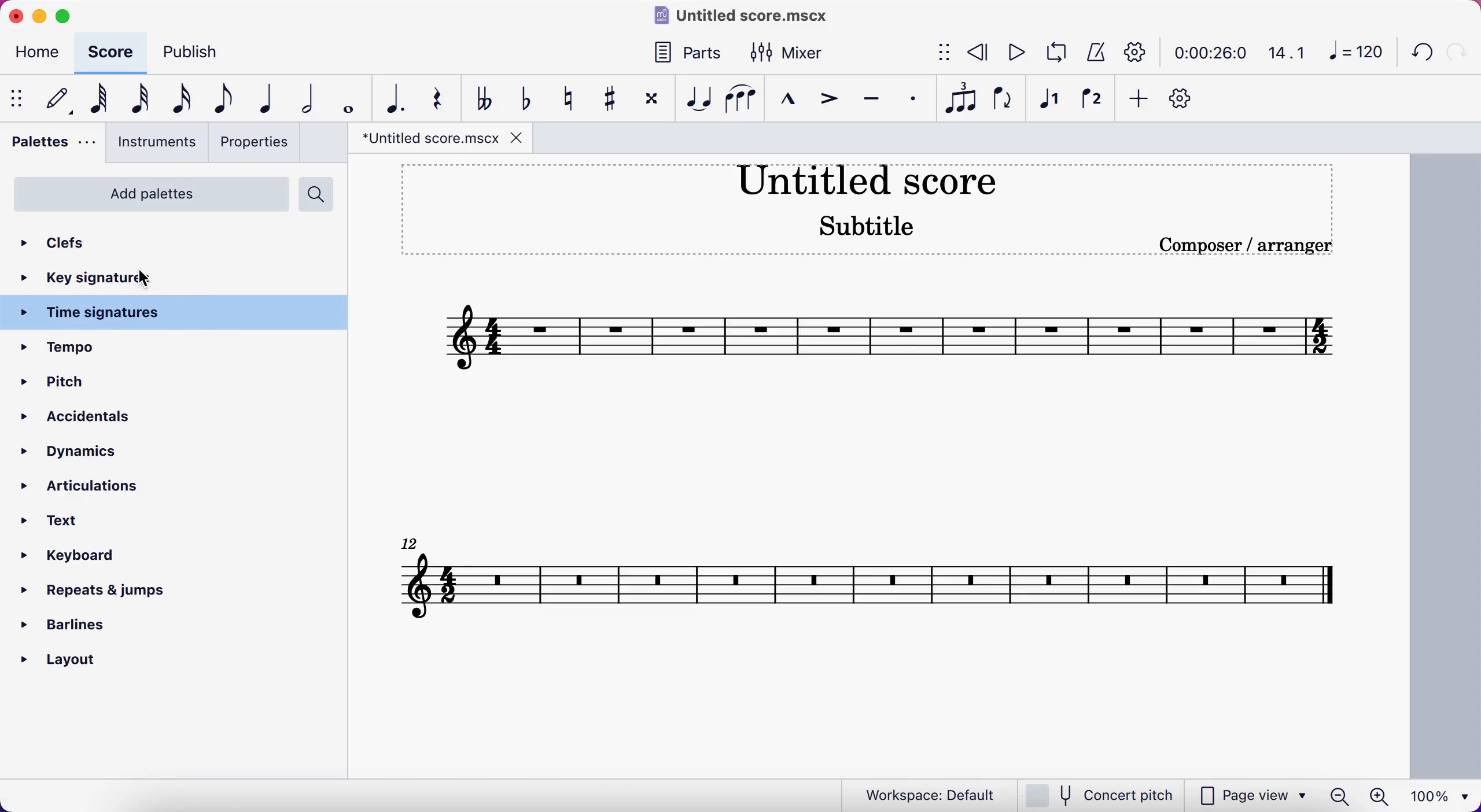 The width and height of the screenshot is (1481, 812). What do you see at coordinates (1053, 102) in the screenshot?
I see `voice 1` at bounding box center [1053, 102].